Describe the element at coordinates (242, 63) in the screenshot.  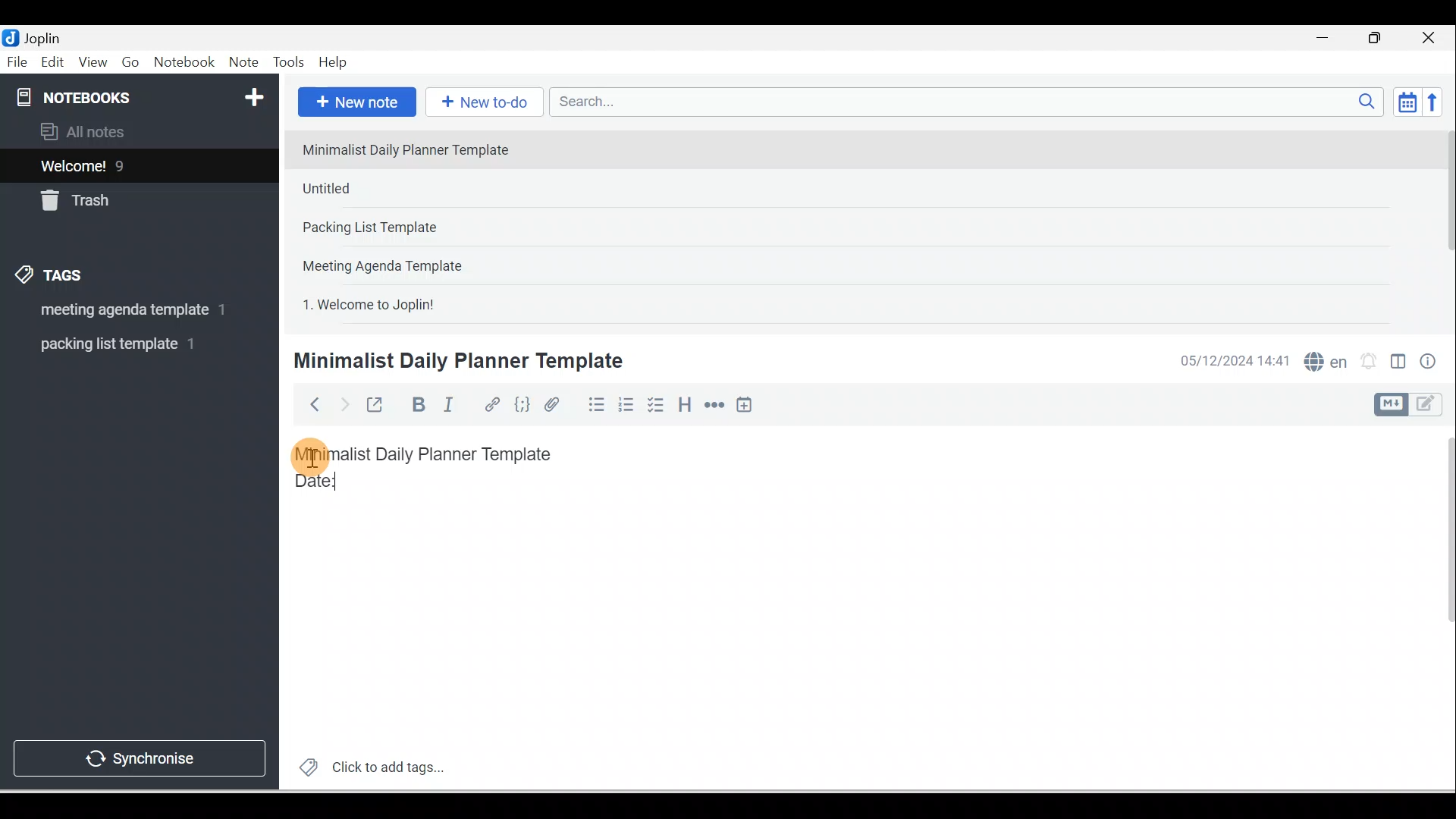
I see `Note` at that location.